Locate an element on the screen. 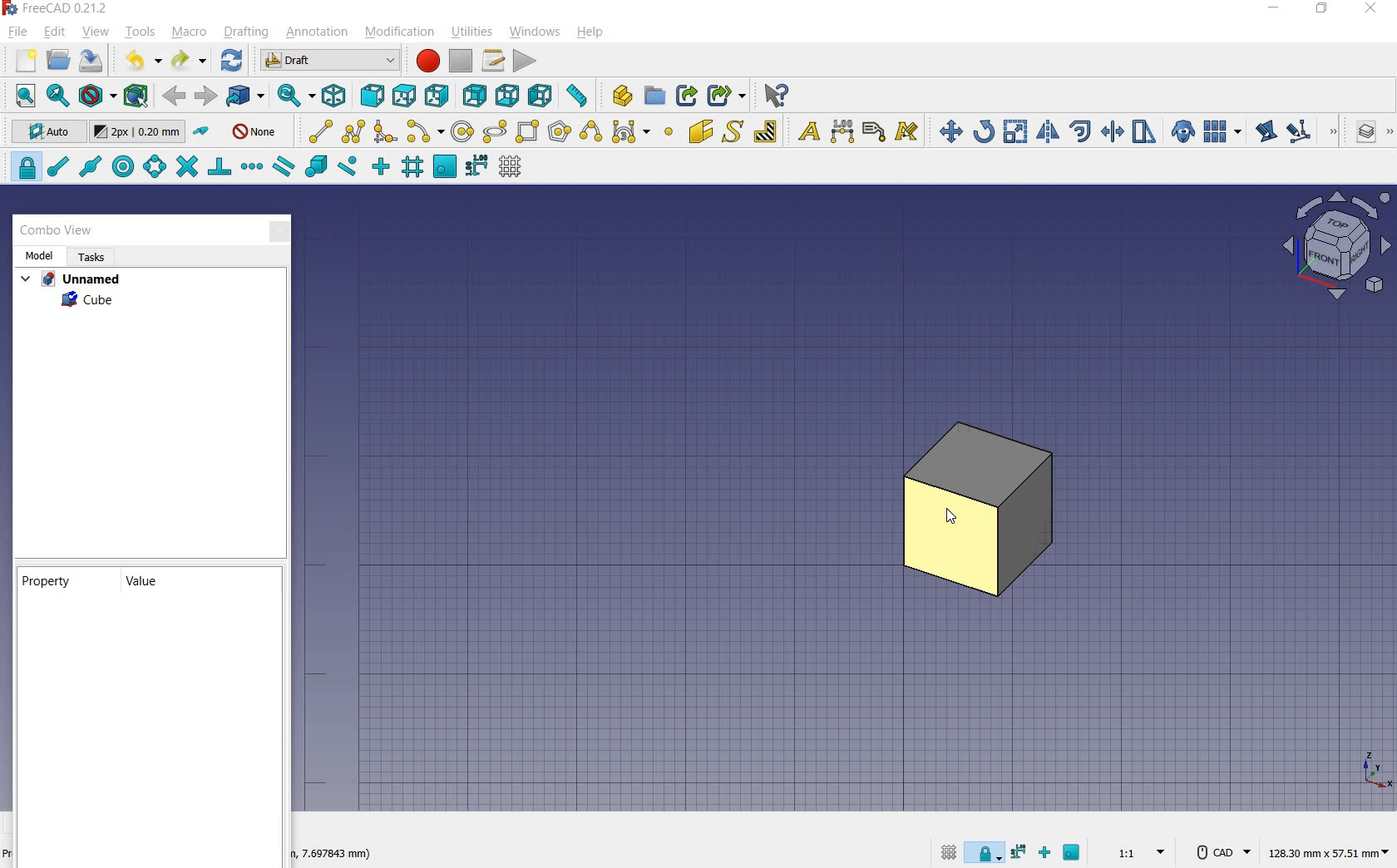 The height and width of the screenshot is (868, 1397). snap ortho is located at coordinates (1045, 854).